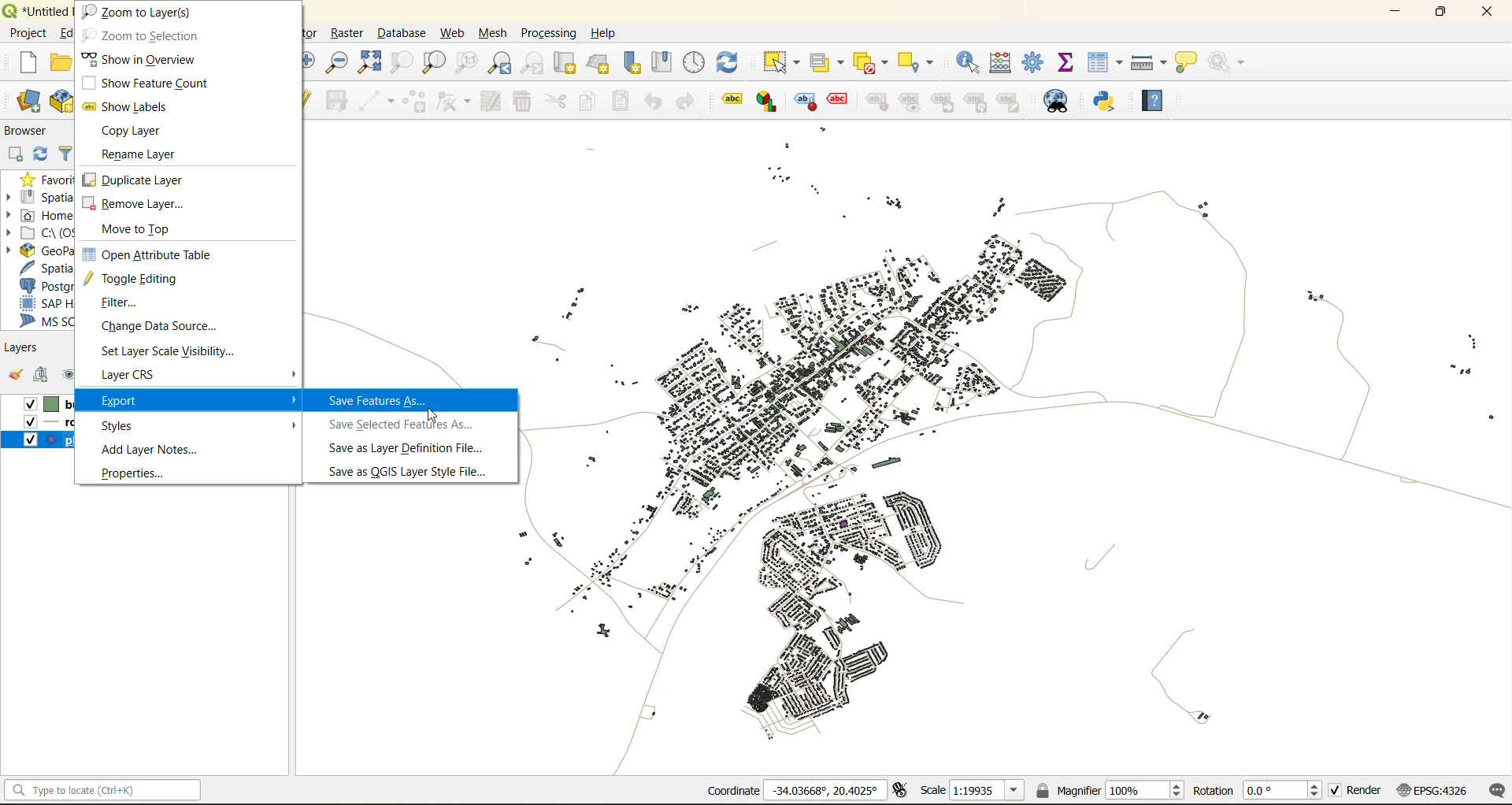 The image size is (1512, 805). I want to click on minimize, so click(1397, 14).